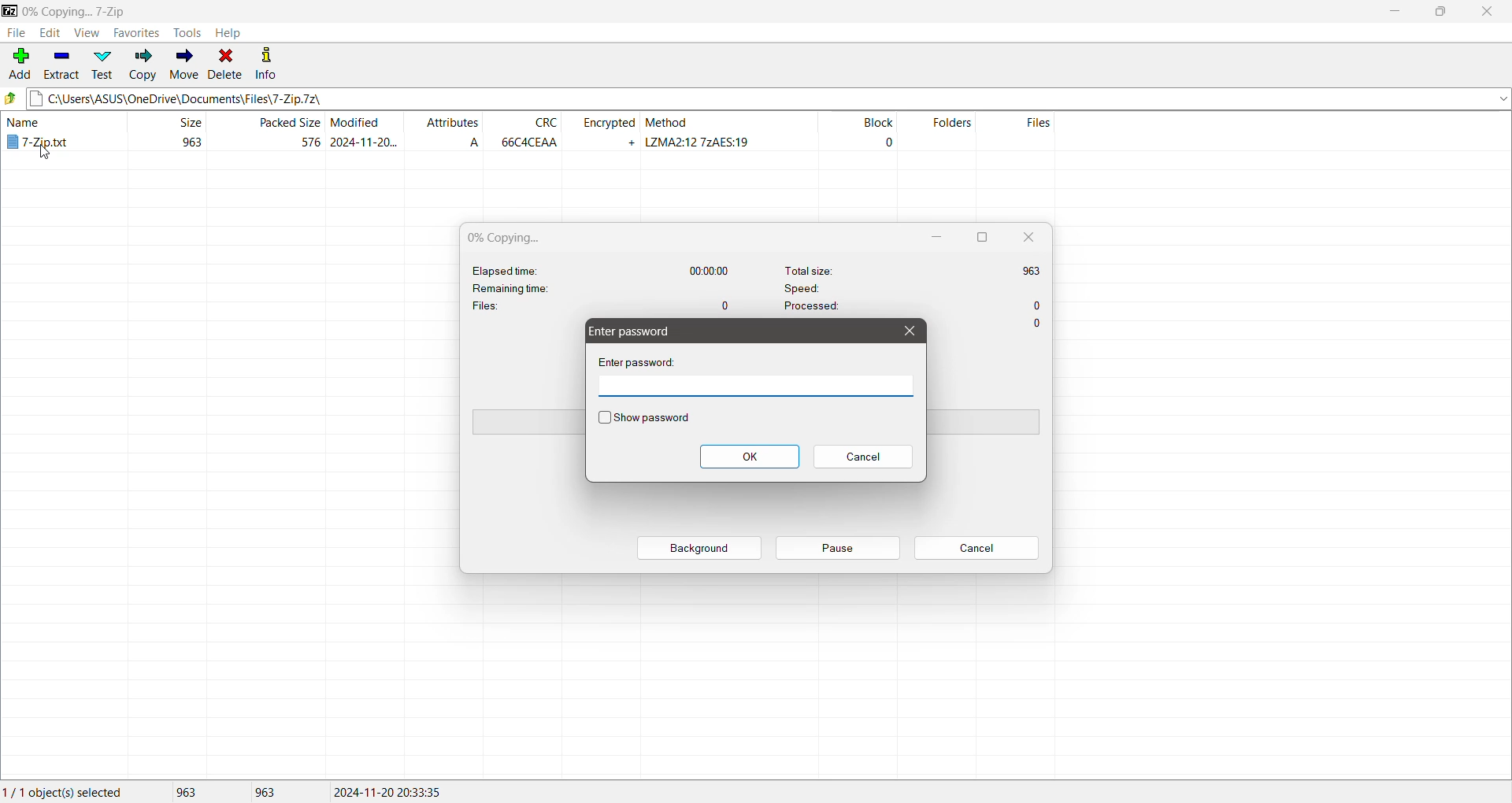  Describe the element at coordinates (857, 133) in the screenshot. I see `Block` at that location.